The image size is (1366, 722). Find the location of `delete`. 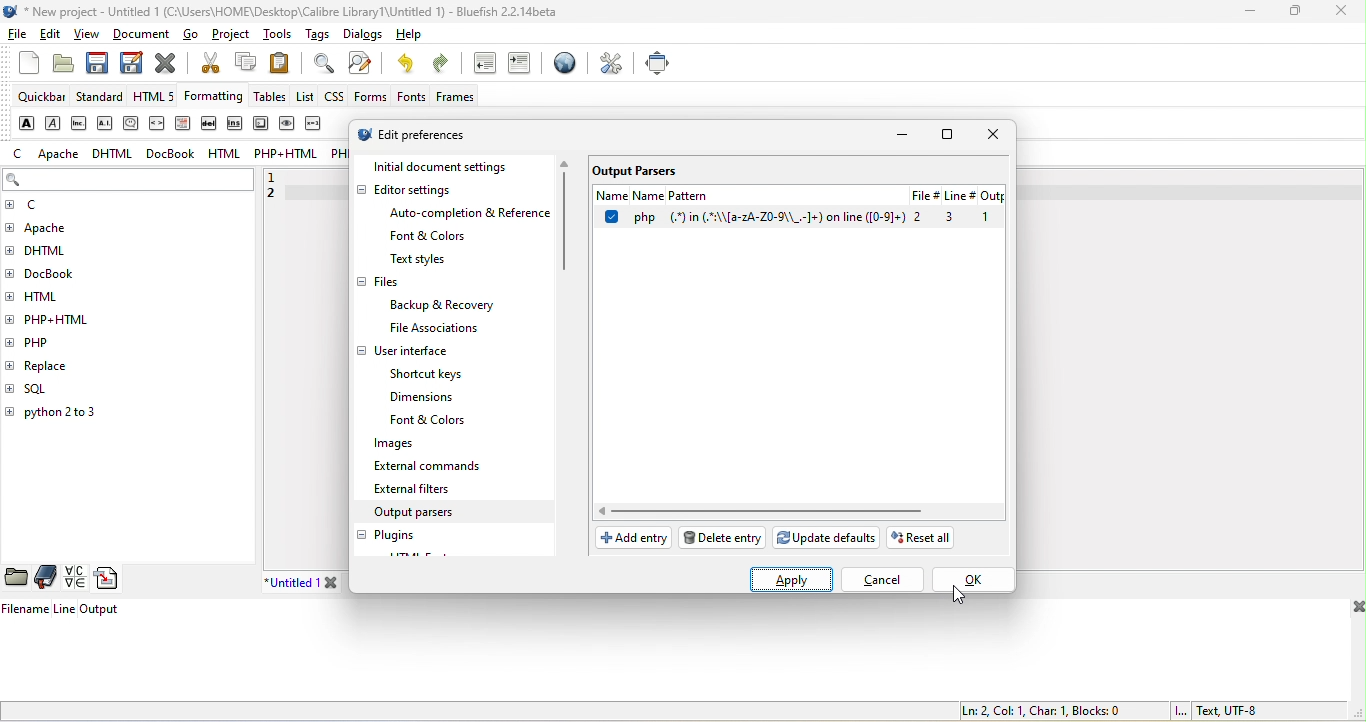

delete is located at coordinates (210, 123).